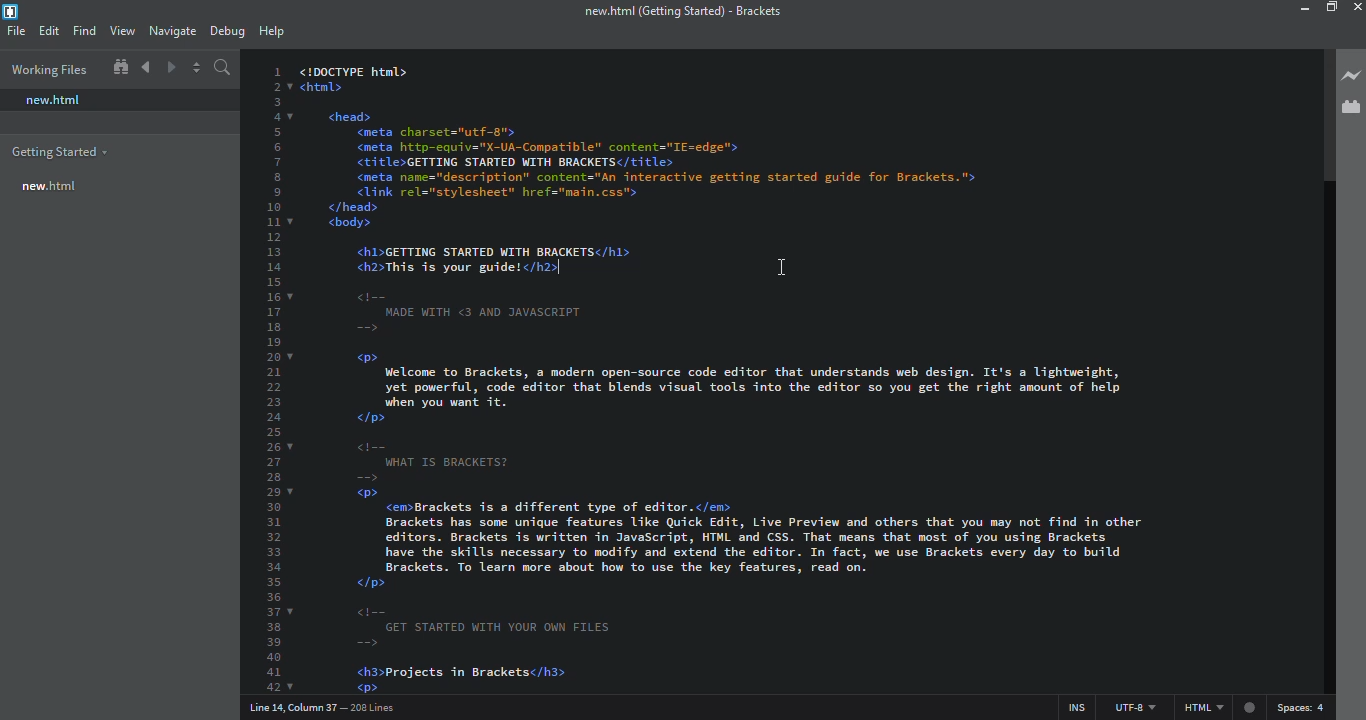 The height and width of the screenshot is (720, 1366). I want to click on minimize, so click(1286, 9).